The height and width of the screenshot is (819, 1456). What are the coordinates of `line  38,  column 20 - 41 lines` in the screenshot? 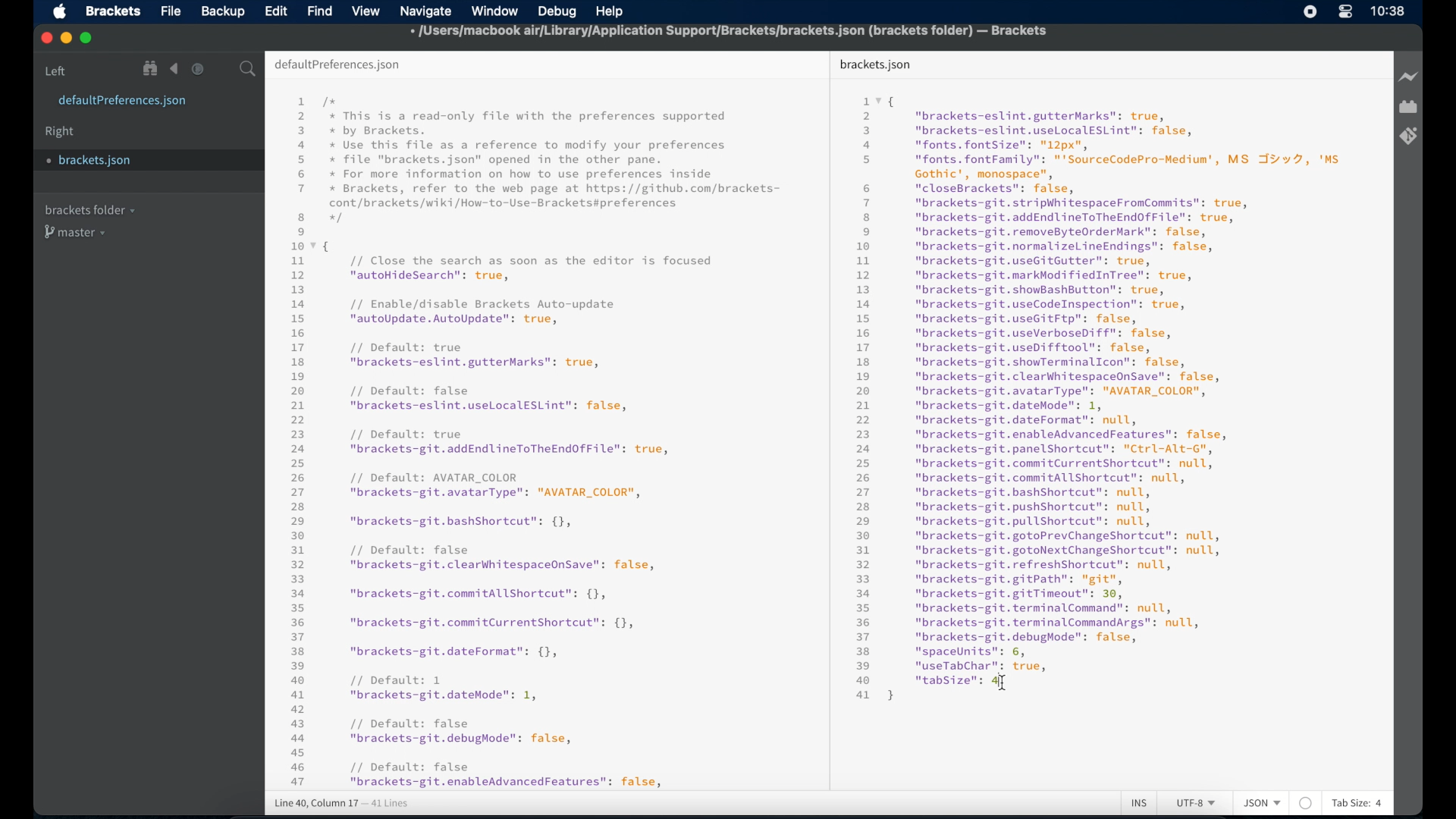 It's located at (342, 804).